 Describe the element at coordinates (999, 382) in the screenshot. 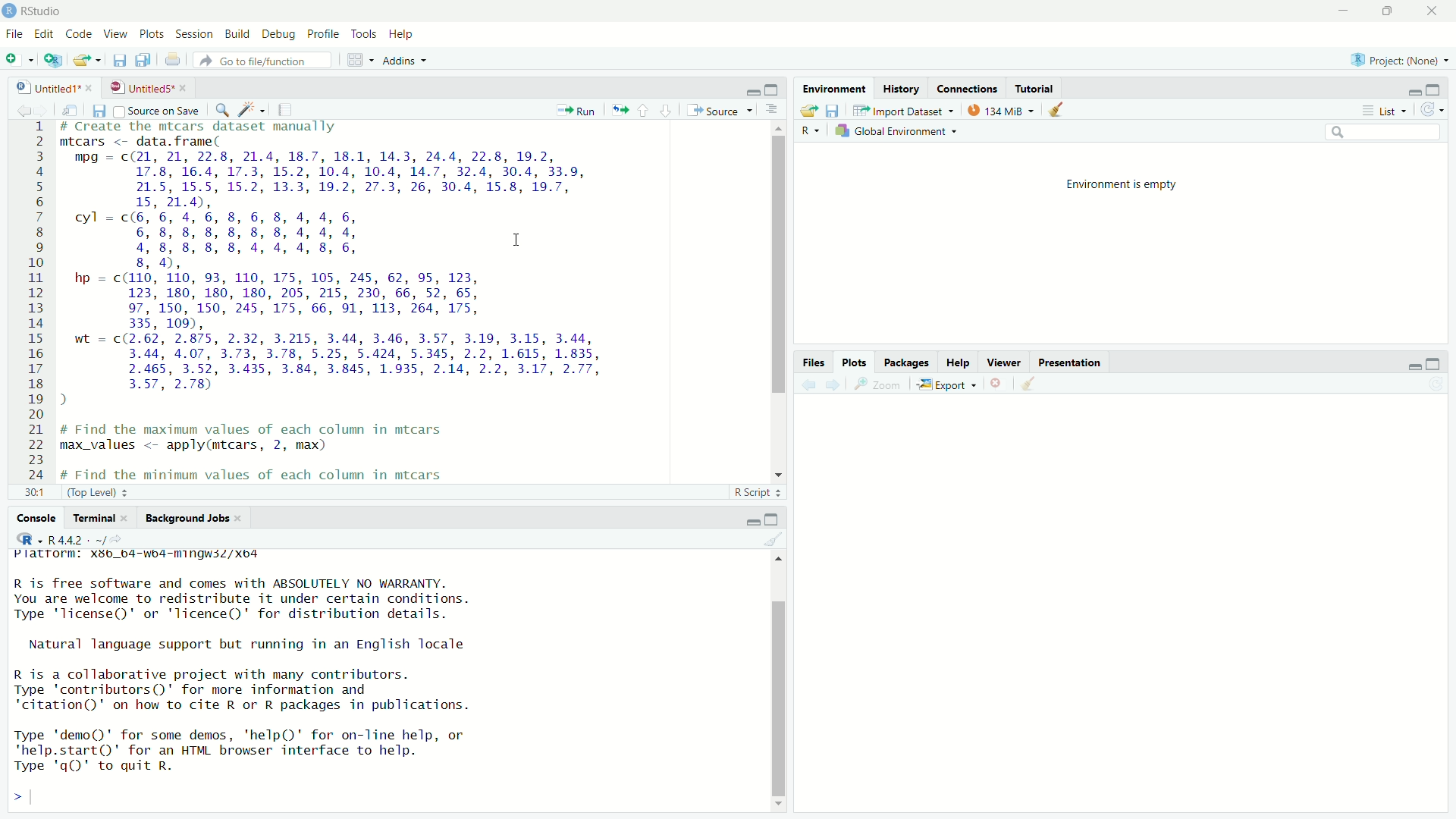

I see `close` at that location.